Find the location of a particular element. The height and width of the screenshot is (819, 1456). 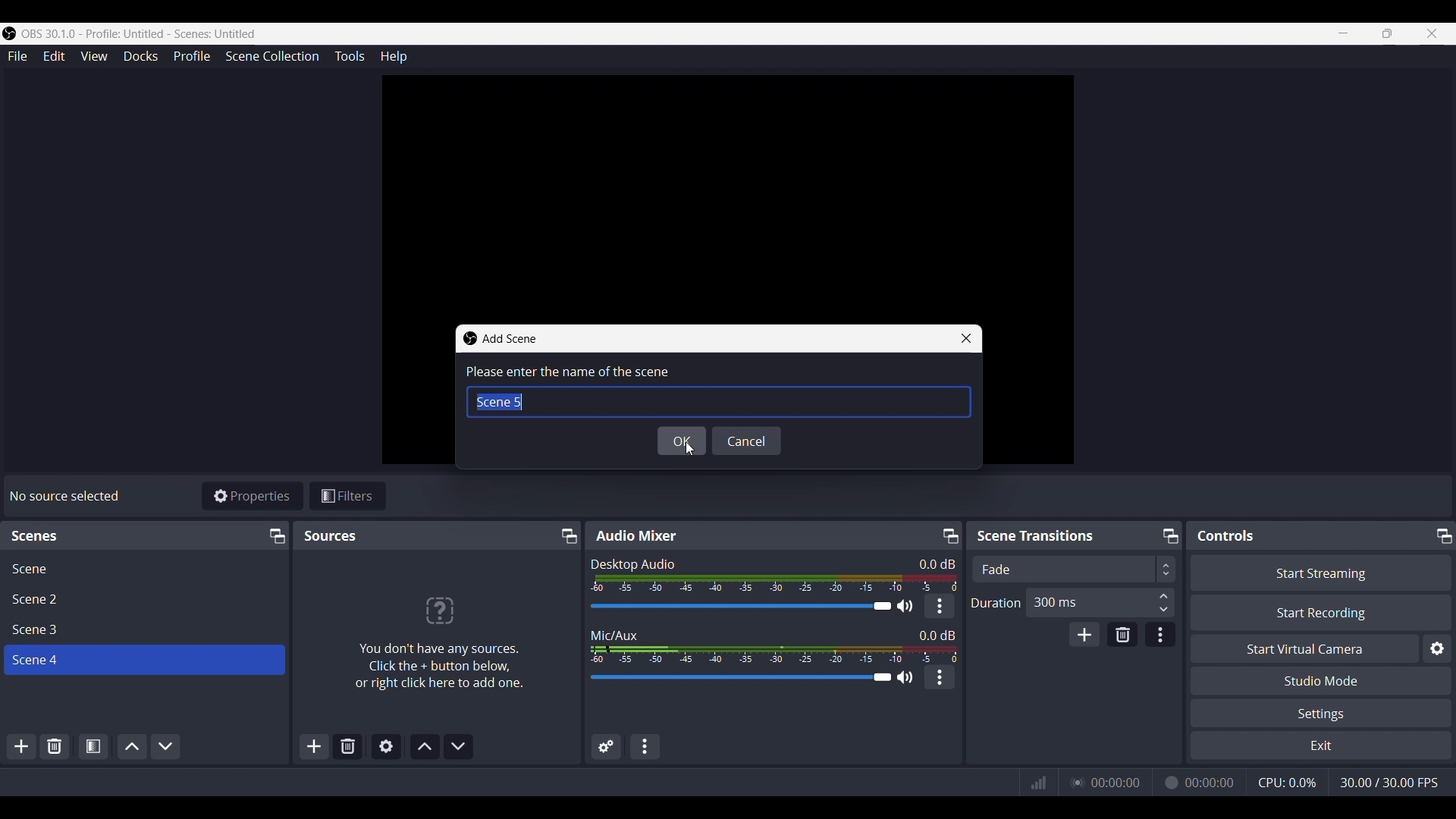

Minimize is located at coordinates (1170, 536).